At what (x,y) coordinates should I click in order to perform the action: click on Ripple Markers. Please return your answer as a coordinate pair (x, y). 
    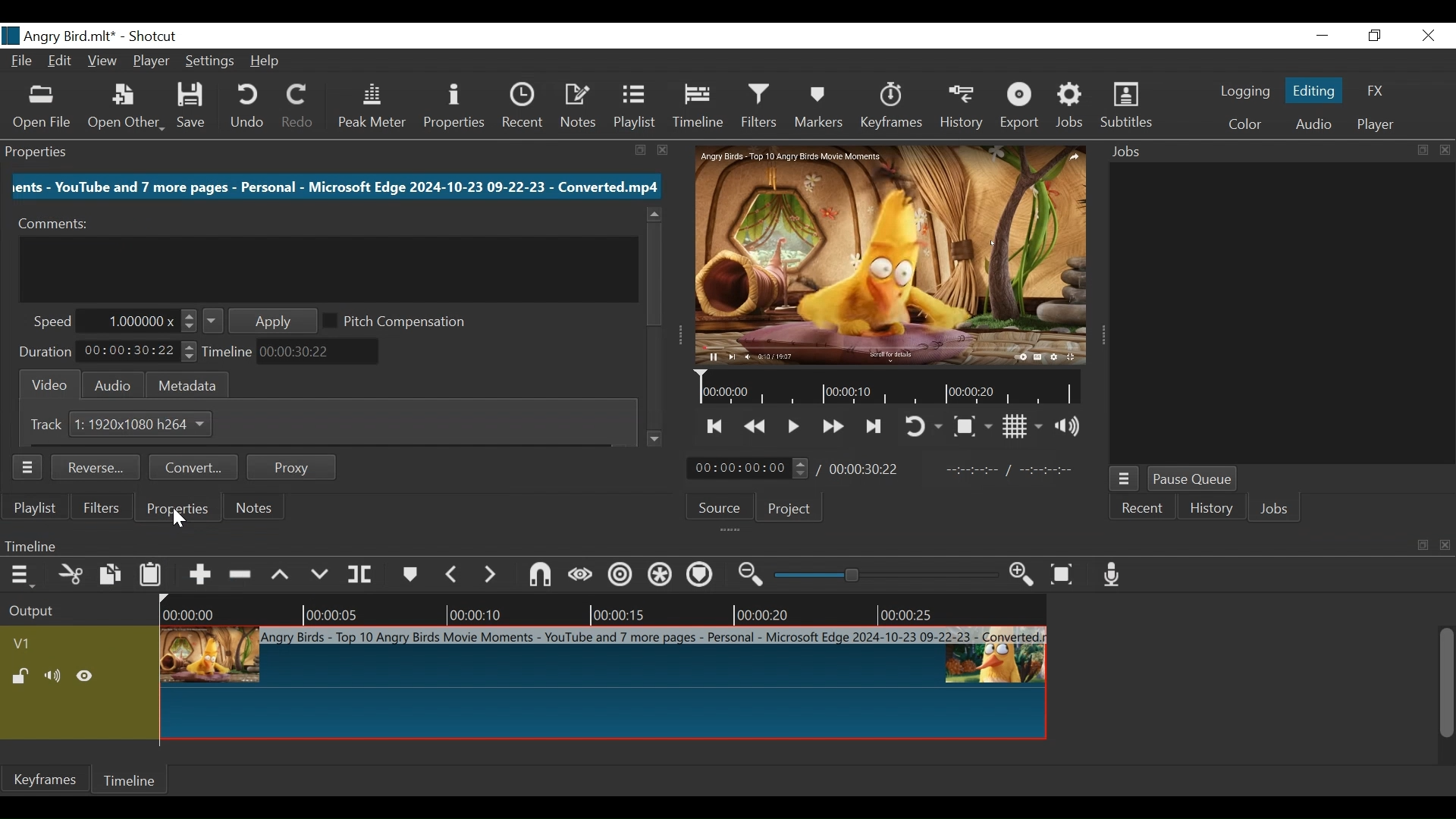
    Looking at the image, I should click on (702, 578).